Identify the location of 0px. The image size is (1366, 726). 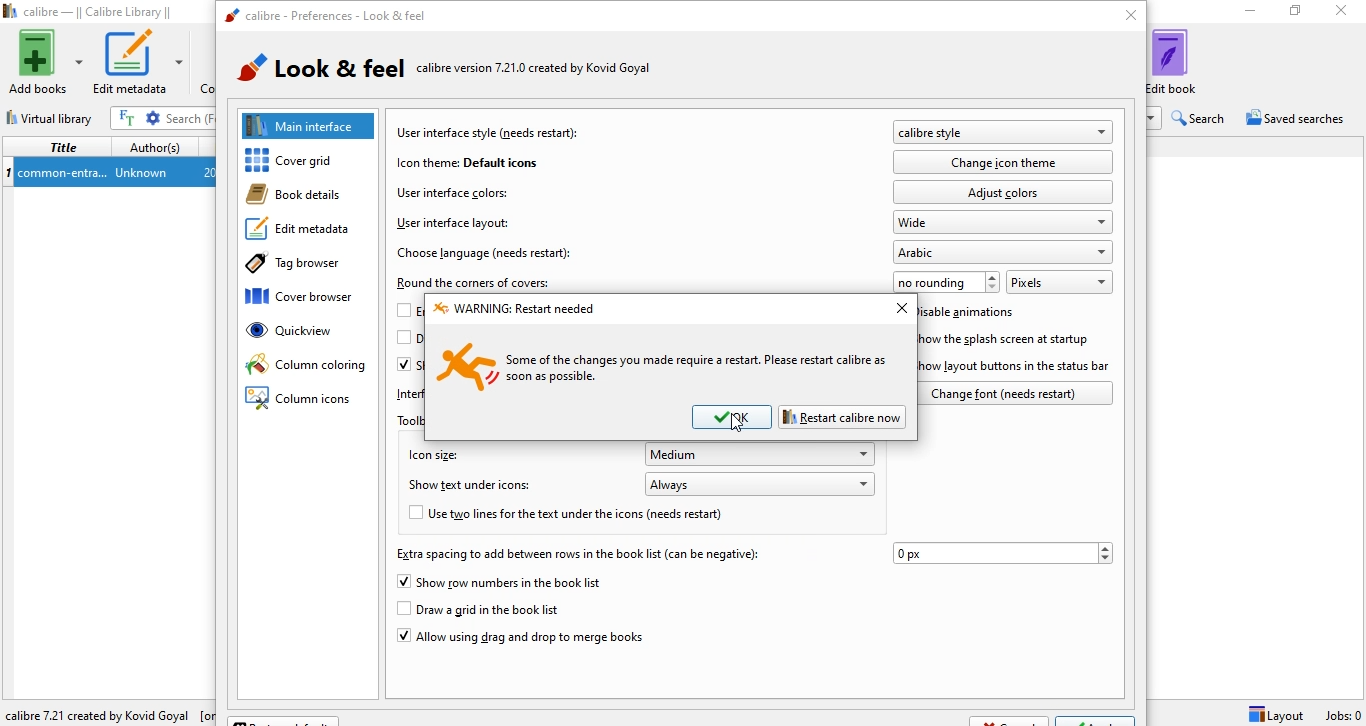
(1003, 553).